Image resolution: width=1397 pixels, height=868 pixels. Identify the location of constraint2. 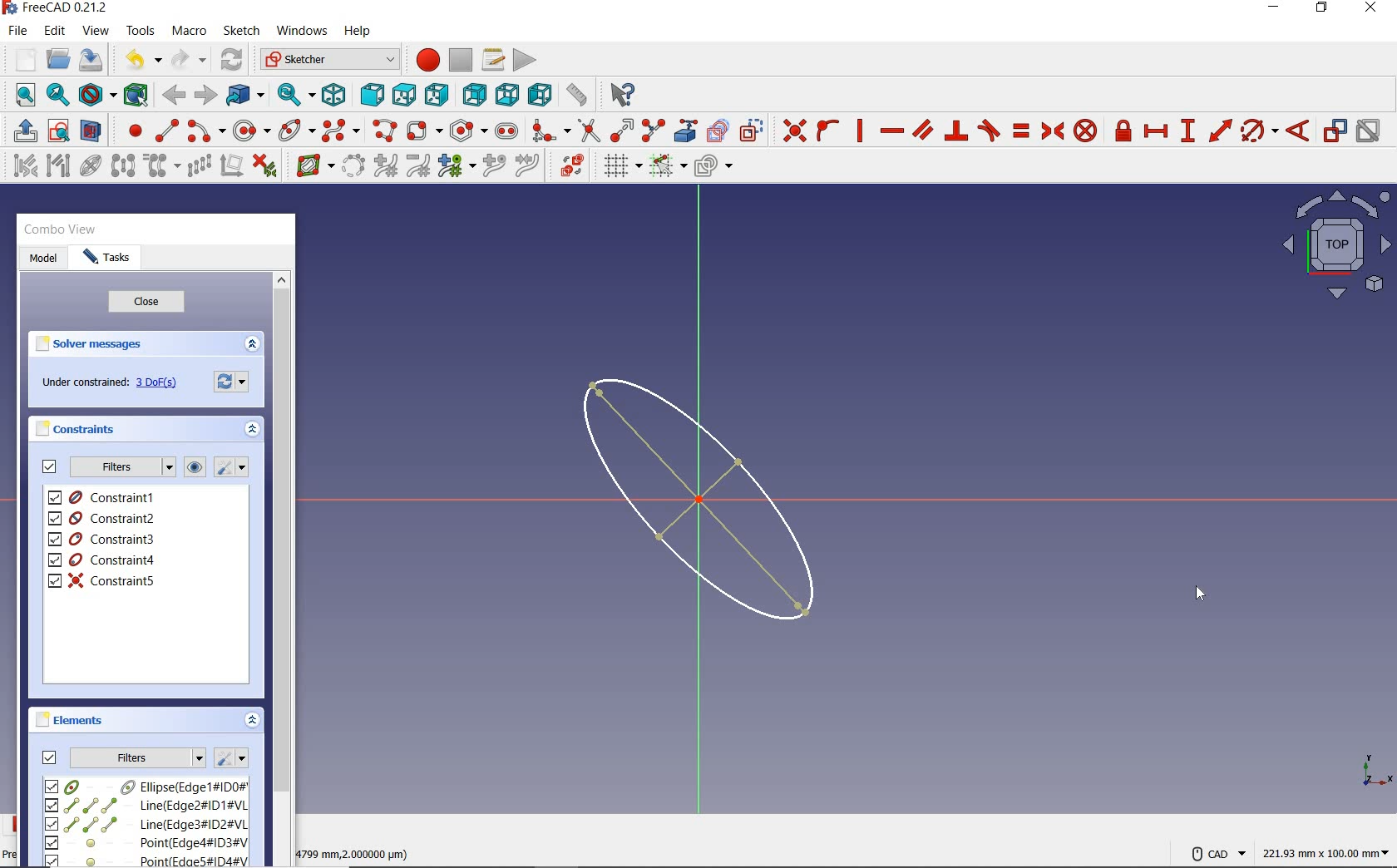
(103, 518).